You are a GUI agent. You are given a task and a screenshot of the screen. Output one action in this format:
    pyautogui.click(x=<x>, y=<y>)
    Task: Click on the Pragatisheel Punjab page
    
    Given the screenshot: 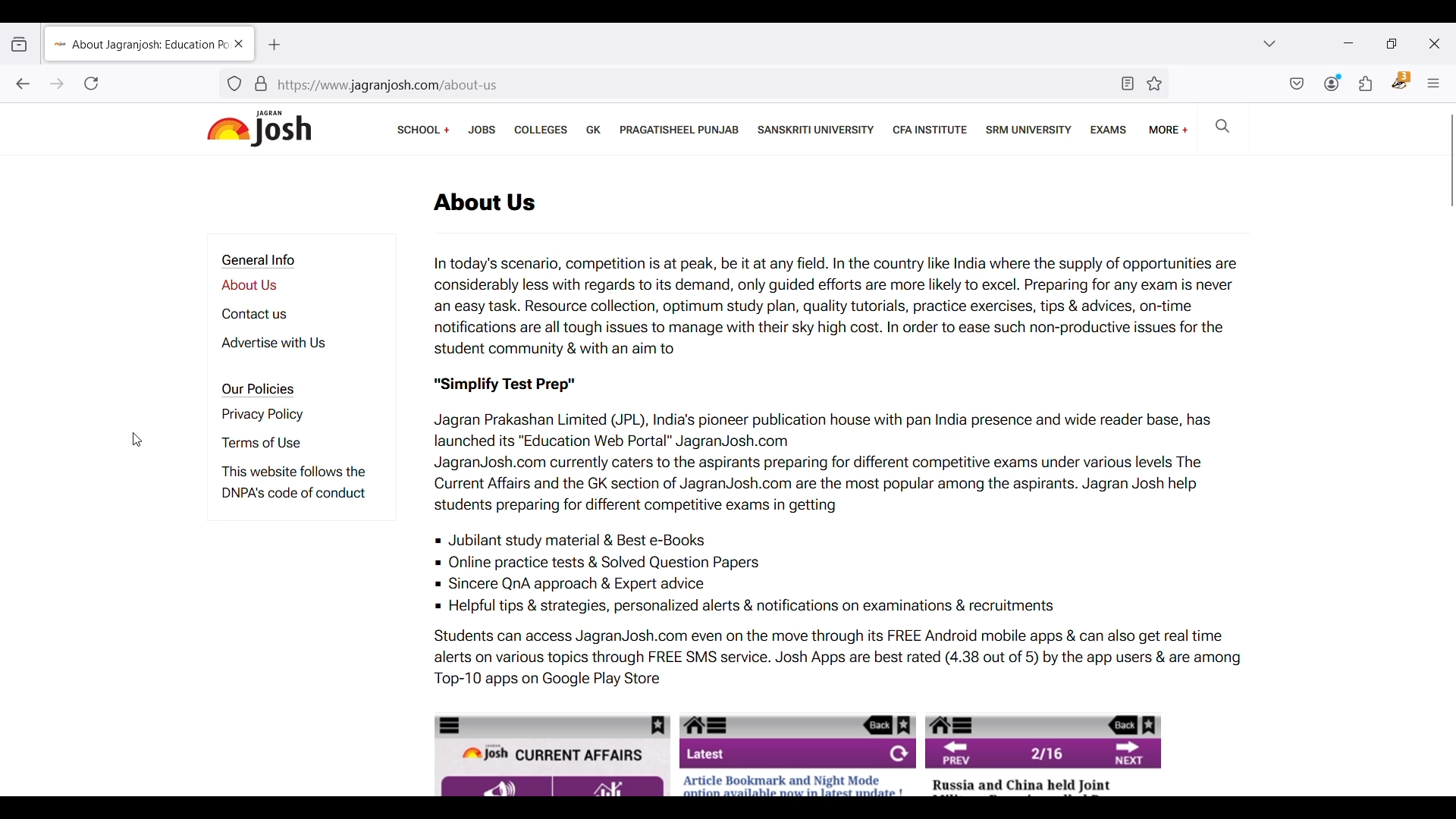 What is the action you would take?
    pyautogui.click(x=681, y=129)
    